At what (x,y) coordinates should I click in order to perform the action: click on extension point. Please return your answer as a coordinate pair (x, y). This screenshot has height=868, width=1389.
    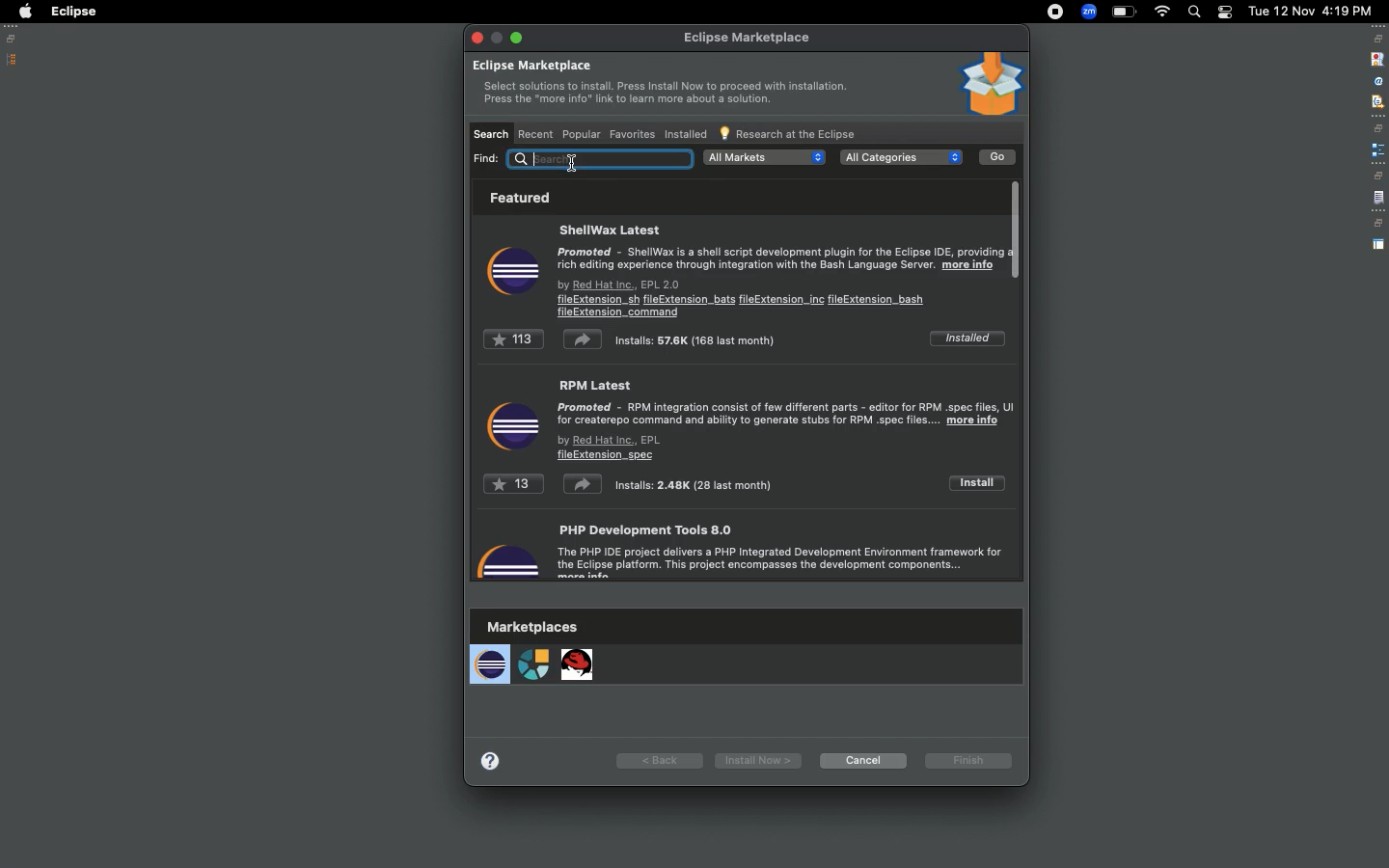
    Looking at the image, I should click on (1377, 149).